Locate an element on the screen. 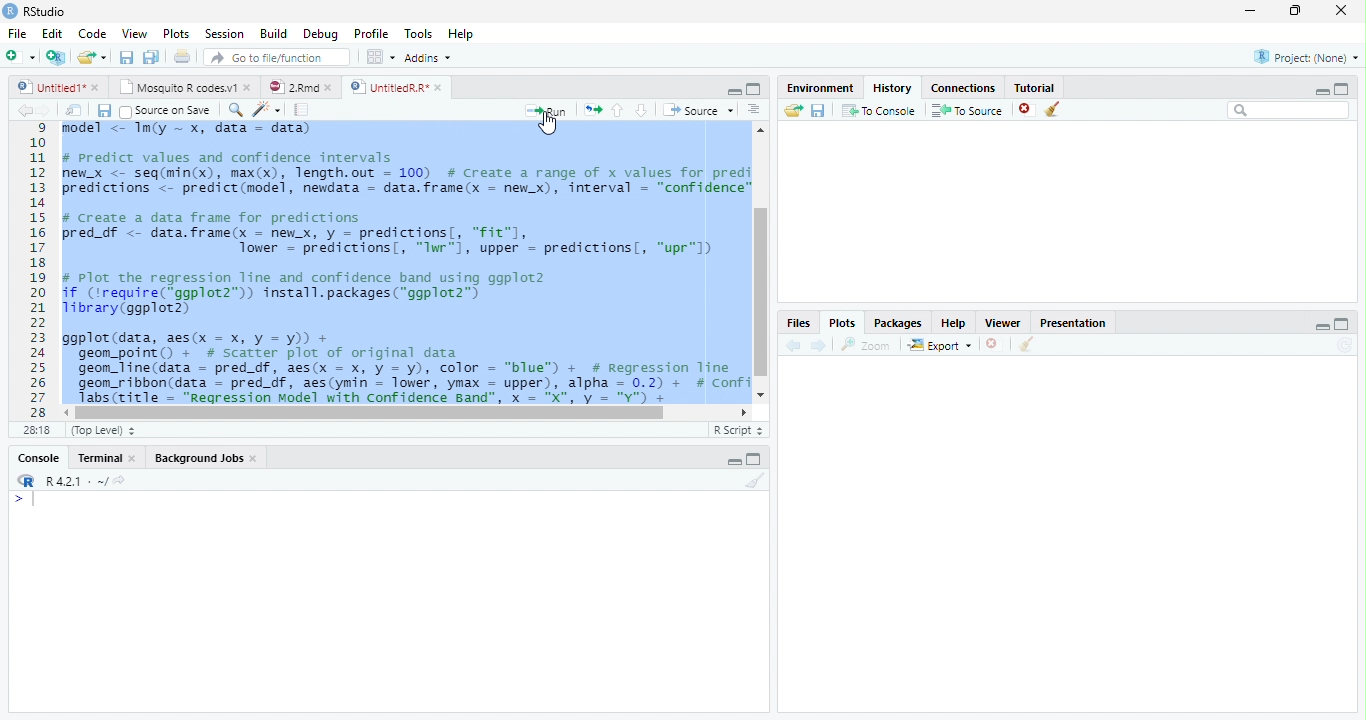 The width and height of the screenshot is (1366, 720). Minimize is located at coordinates (1252, 10).